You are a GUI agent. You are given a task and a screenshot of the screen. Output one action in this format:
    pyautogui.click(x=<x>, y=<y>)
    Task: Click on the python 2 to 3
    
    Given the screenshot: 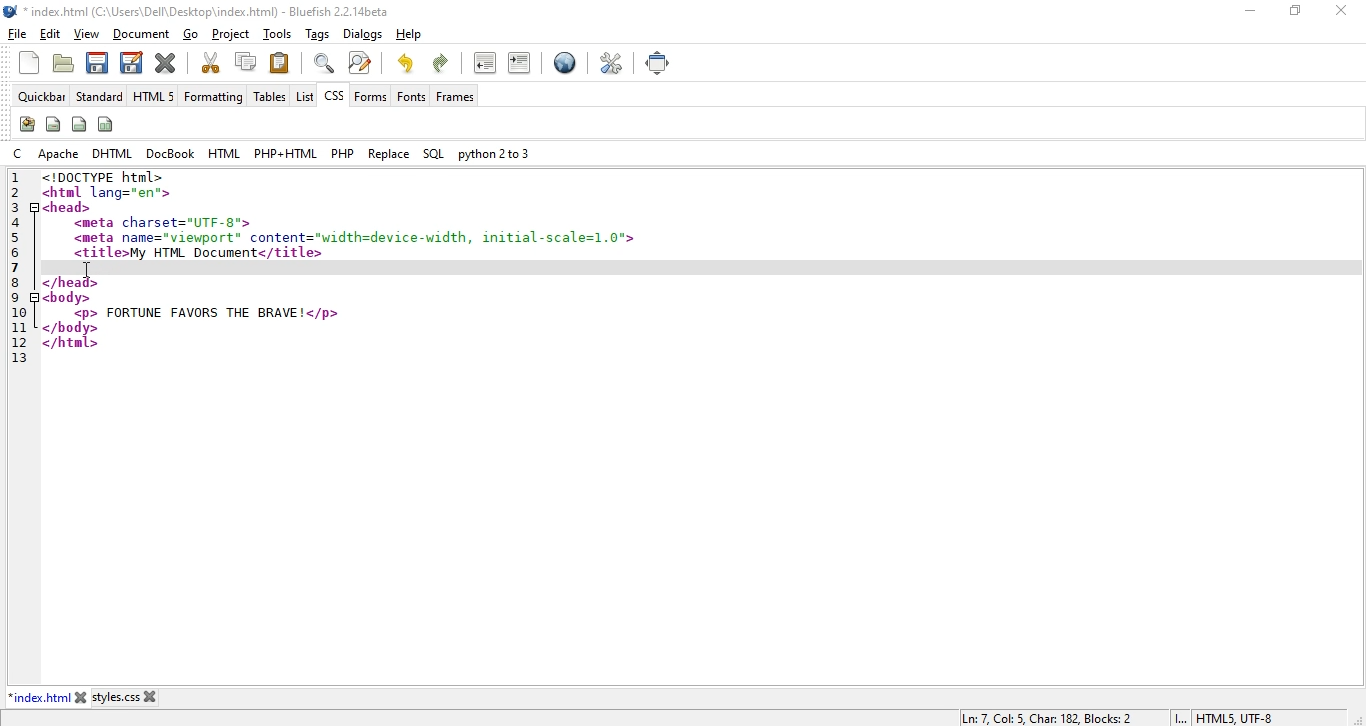 What is the action you would take?
    pyautogui.click(x=492, y=153)
    